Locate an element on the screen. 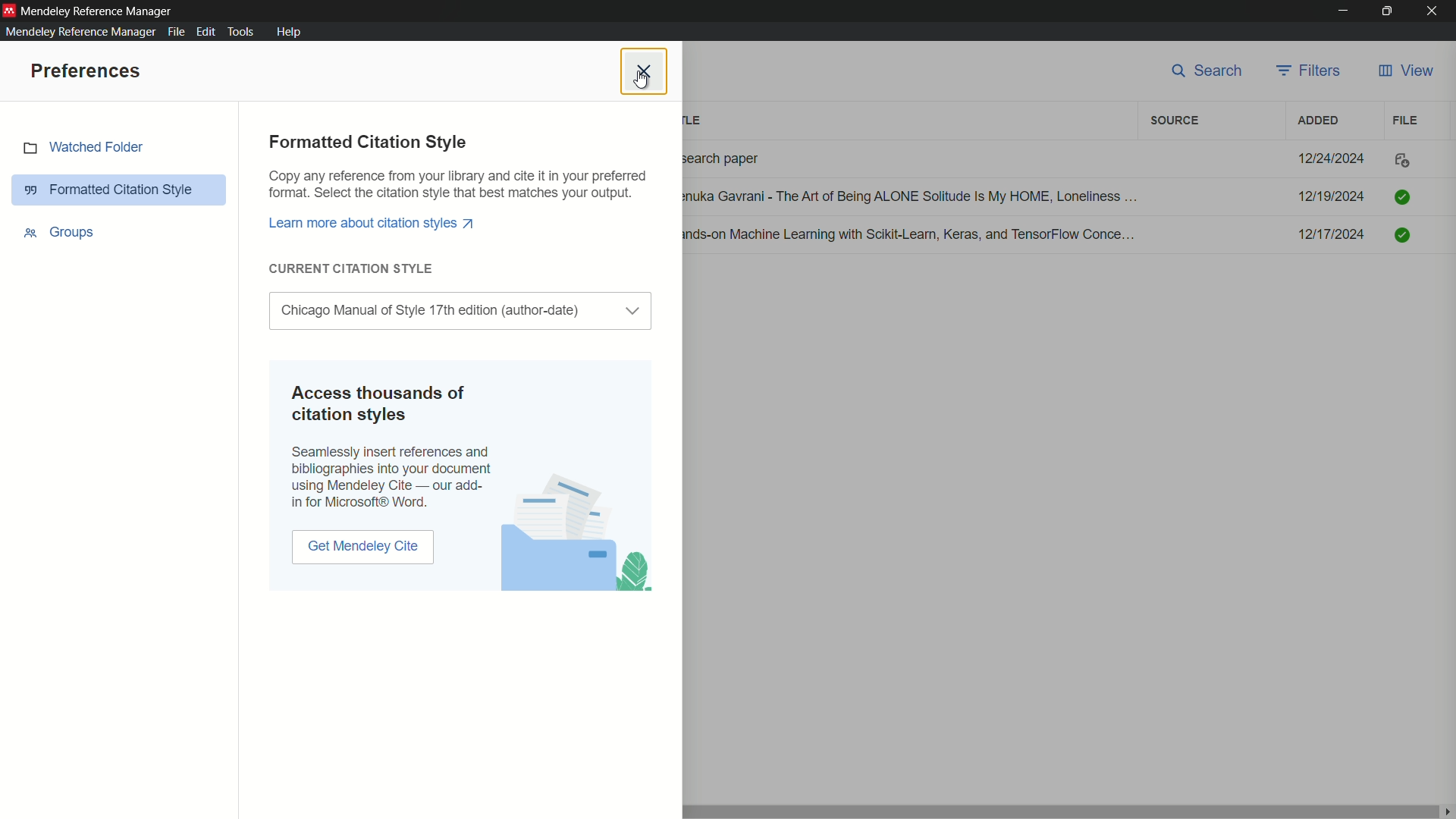 This screenshot has height=819, width=1456. mendeley reference manager is located at coordinates (78, 31).